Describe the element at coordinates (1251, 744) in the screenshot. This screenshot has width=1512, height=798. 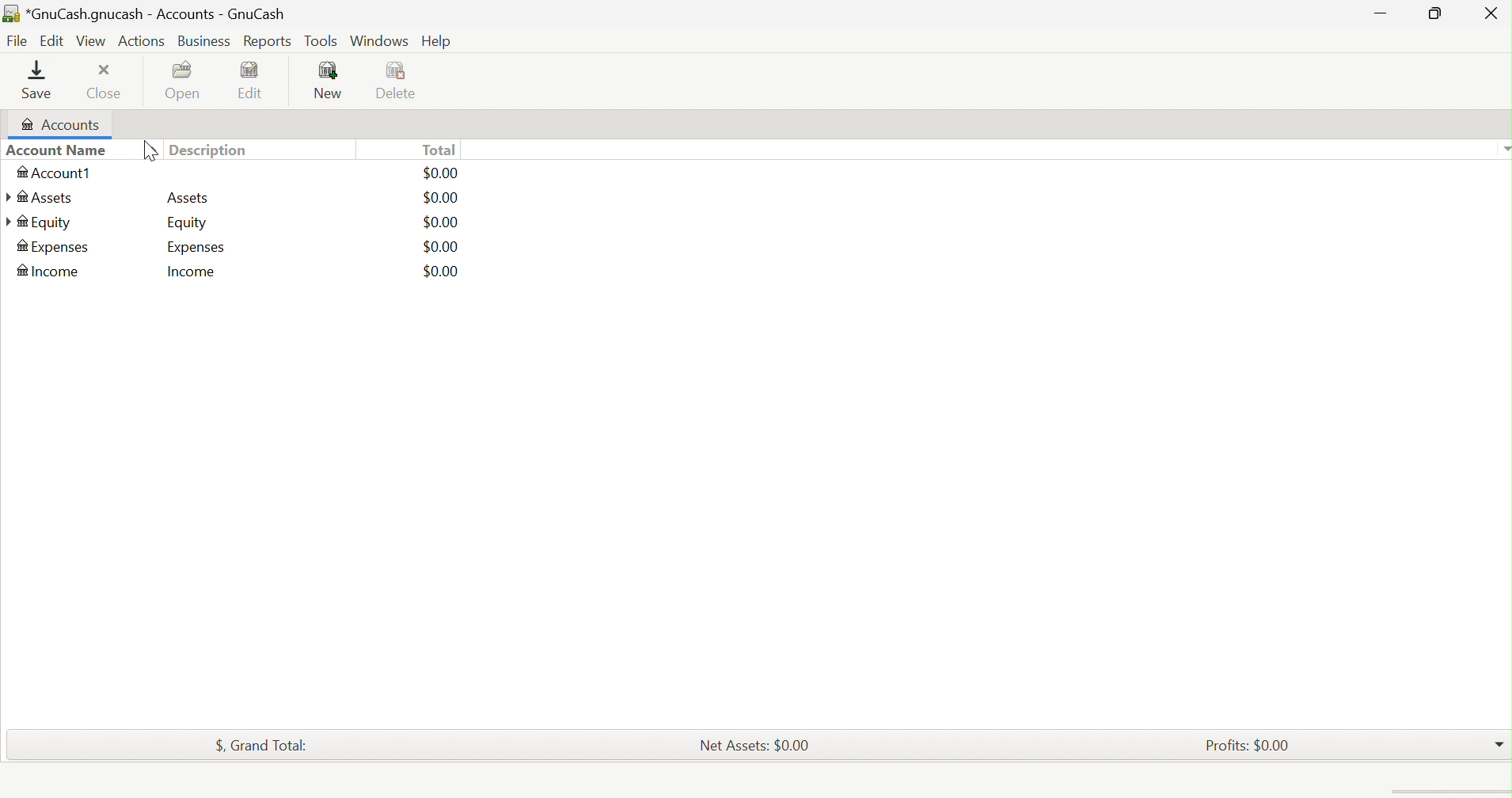
I see `Profits: $0.00` at that location.